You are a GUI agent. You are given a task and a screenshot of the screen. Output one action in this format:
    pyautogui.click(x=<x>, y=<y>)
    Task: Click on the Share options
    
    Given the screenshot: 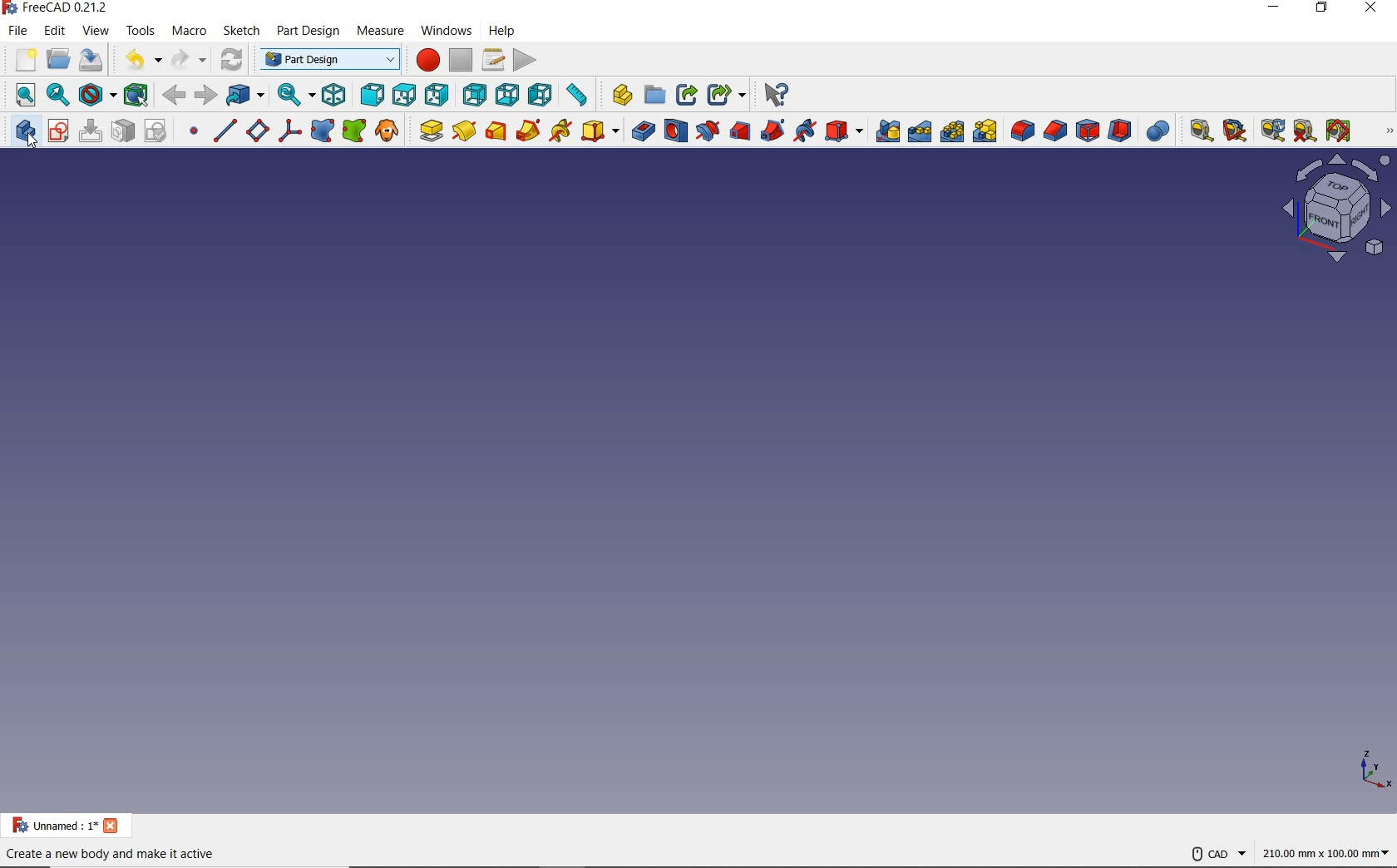 What is the action you would take?
    pyautogui.click(x=725, y=95)
    